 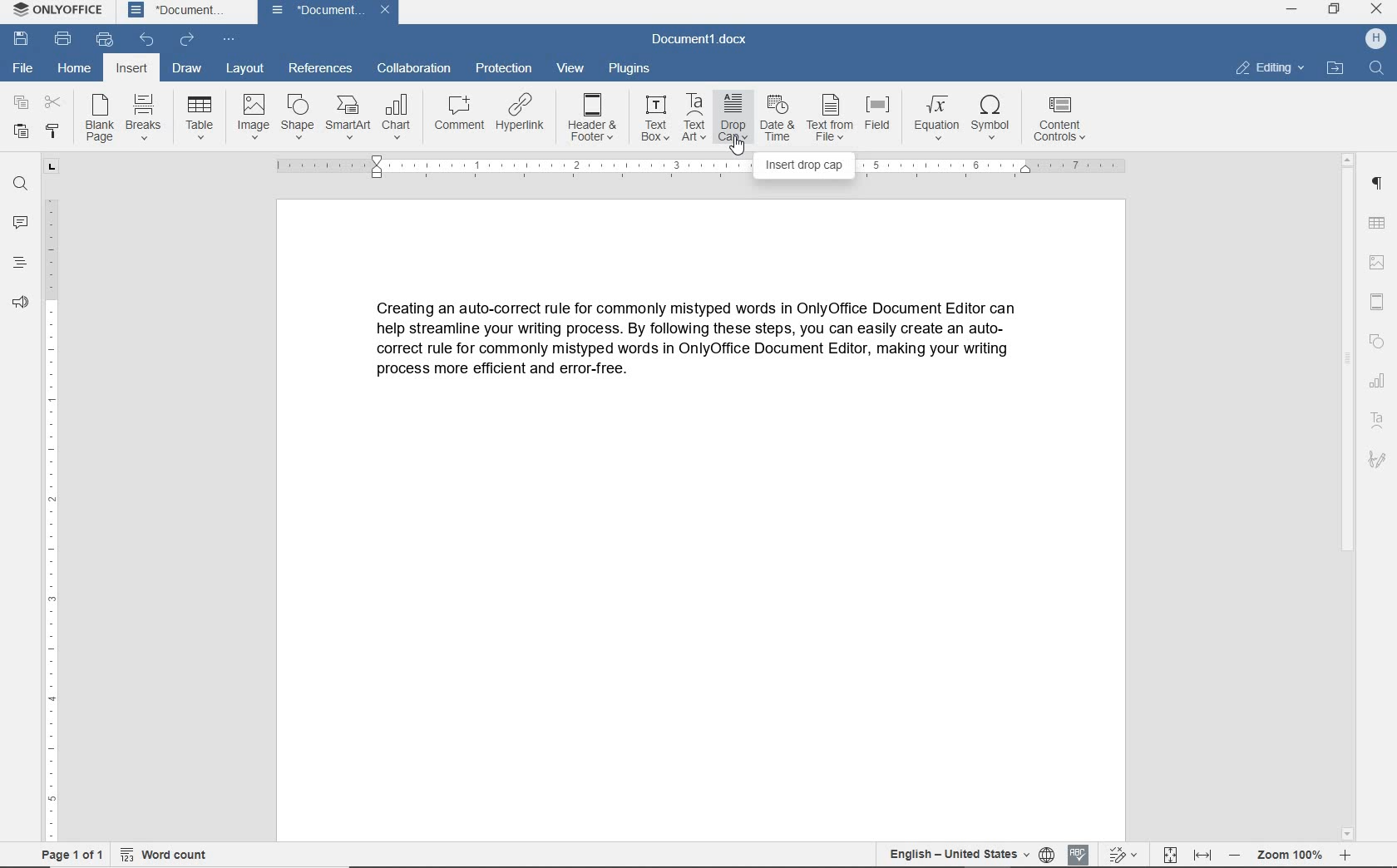 What do you see at coordinates (503, 69) in the screenshot?
I see `protection` at bounding box center [503, 69].